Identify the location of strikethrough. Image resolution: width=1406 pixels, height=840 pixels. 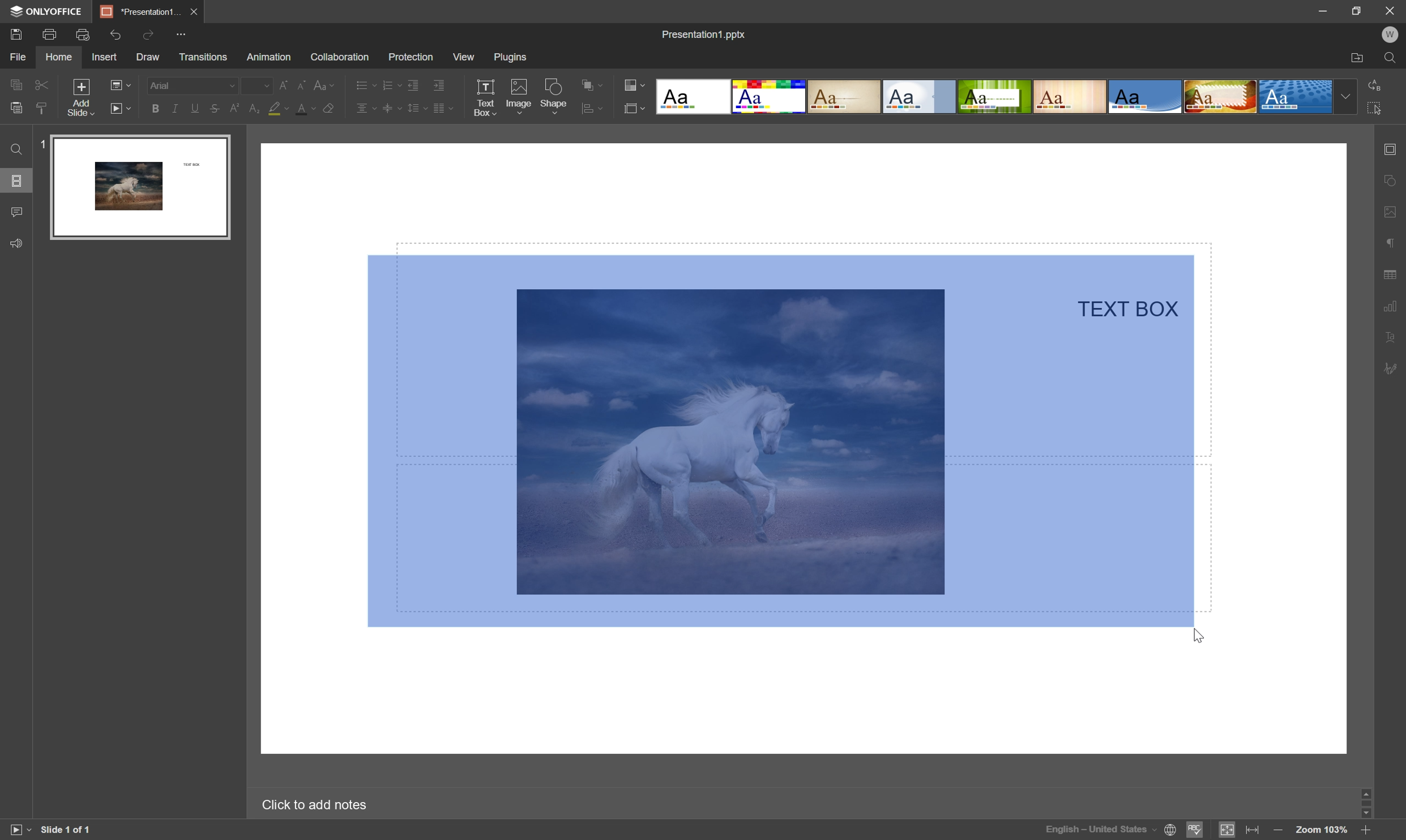
(215, 109).